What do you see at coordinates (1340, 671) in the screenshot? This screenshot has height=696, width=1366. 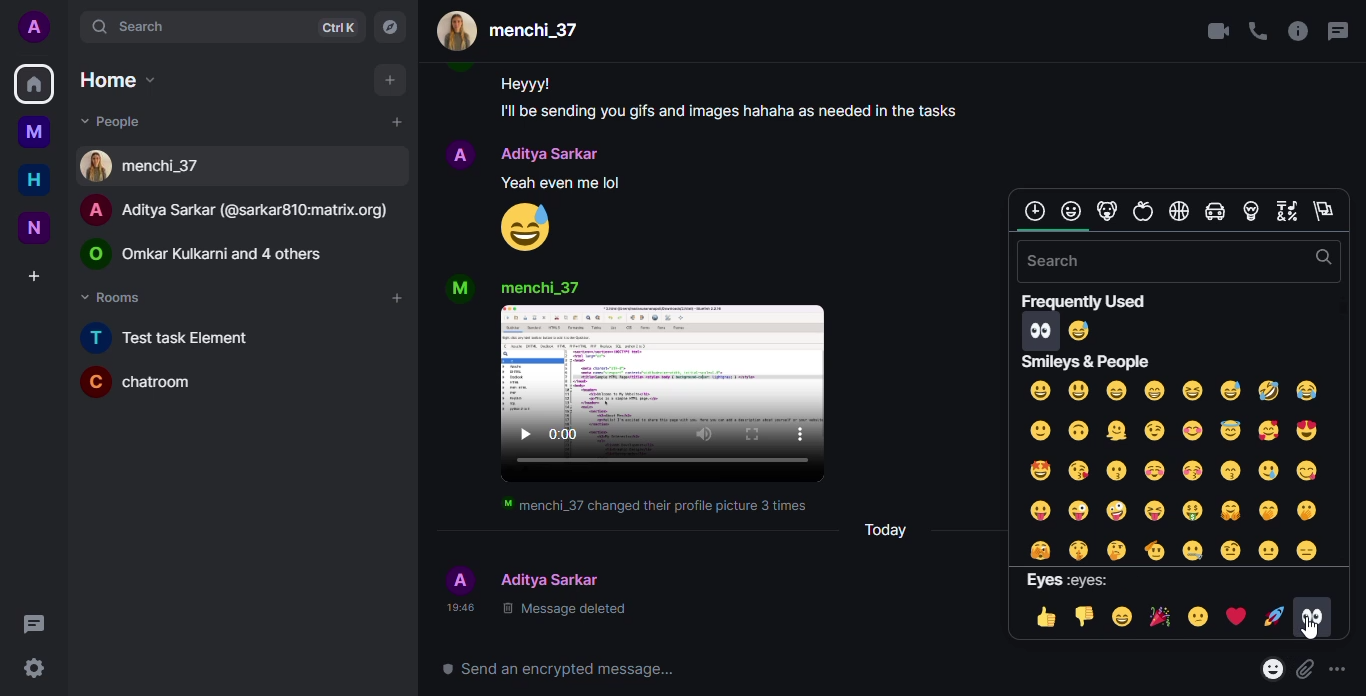 I see `more` at bounding box center [1340, 671].